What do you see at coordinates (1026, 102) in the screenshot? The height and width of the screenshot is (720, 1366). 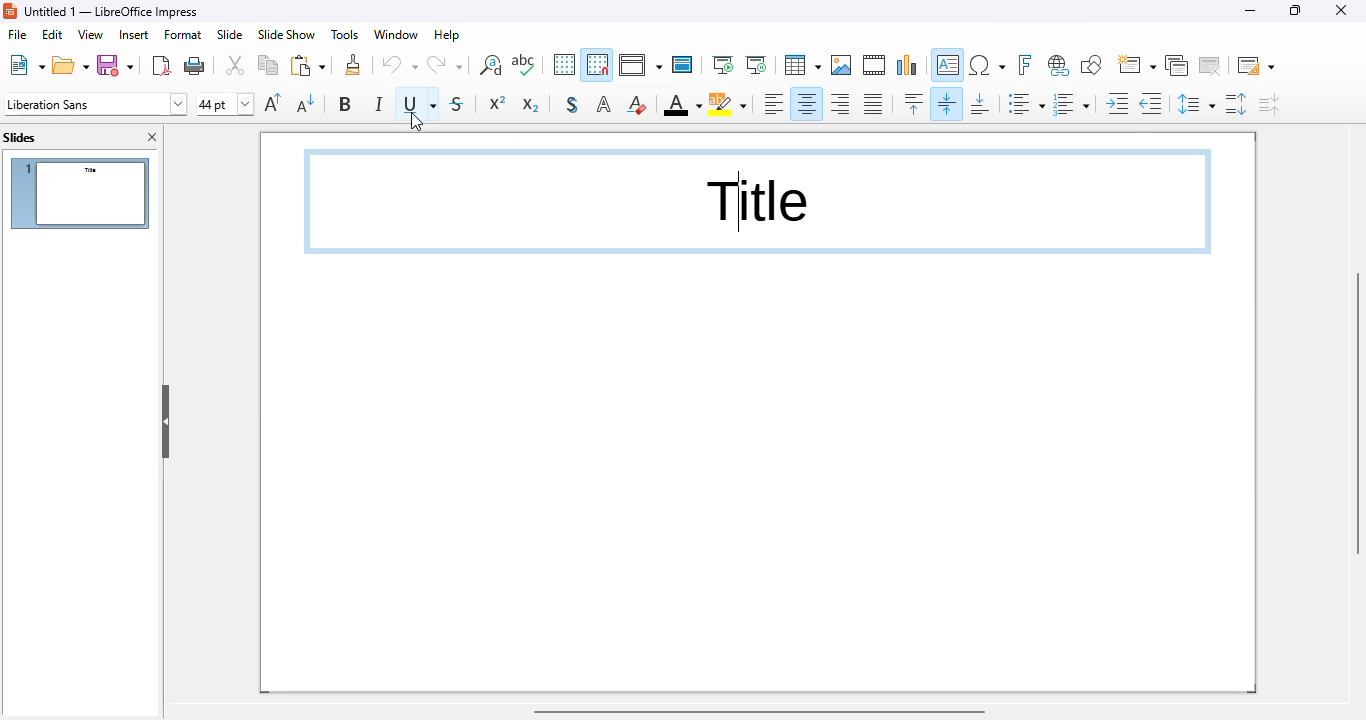 I see `toggle unordered list` at bounding box center [1026, 102].